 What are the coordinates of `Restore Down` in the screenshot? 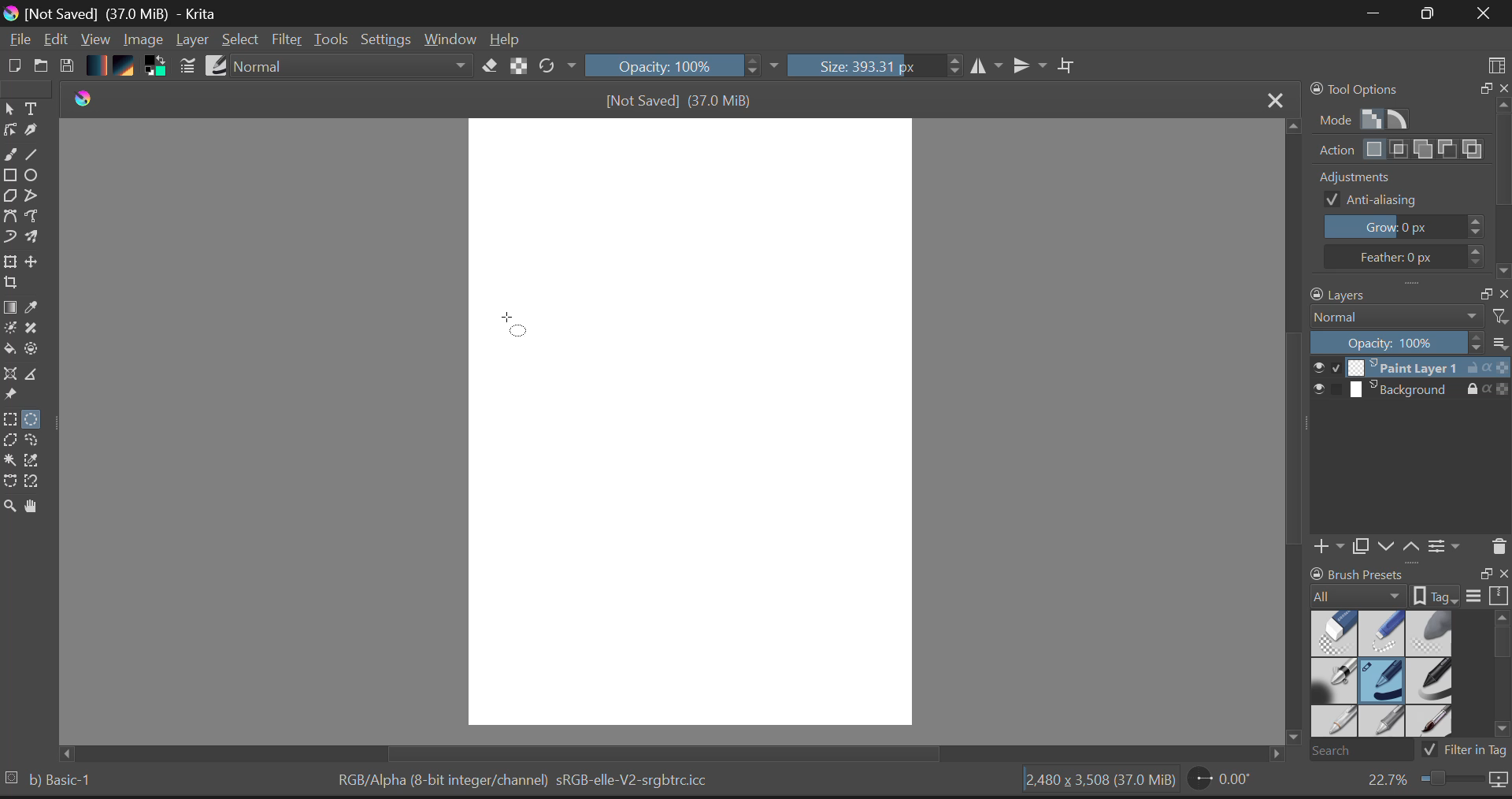 It's located at (1371, 14).